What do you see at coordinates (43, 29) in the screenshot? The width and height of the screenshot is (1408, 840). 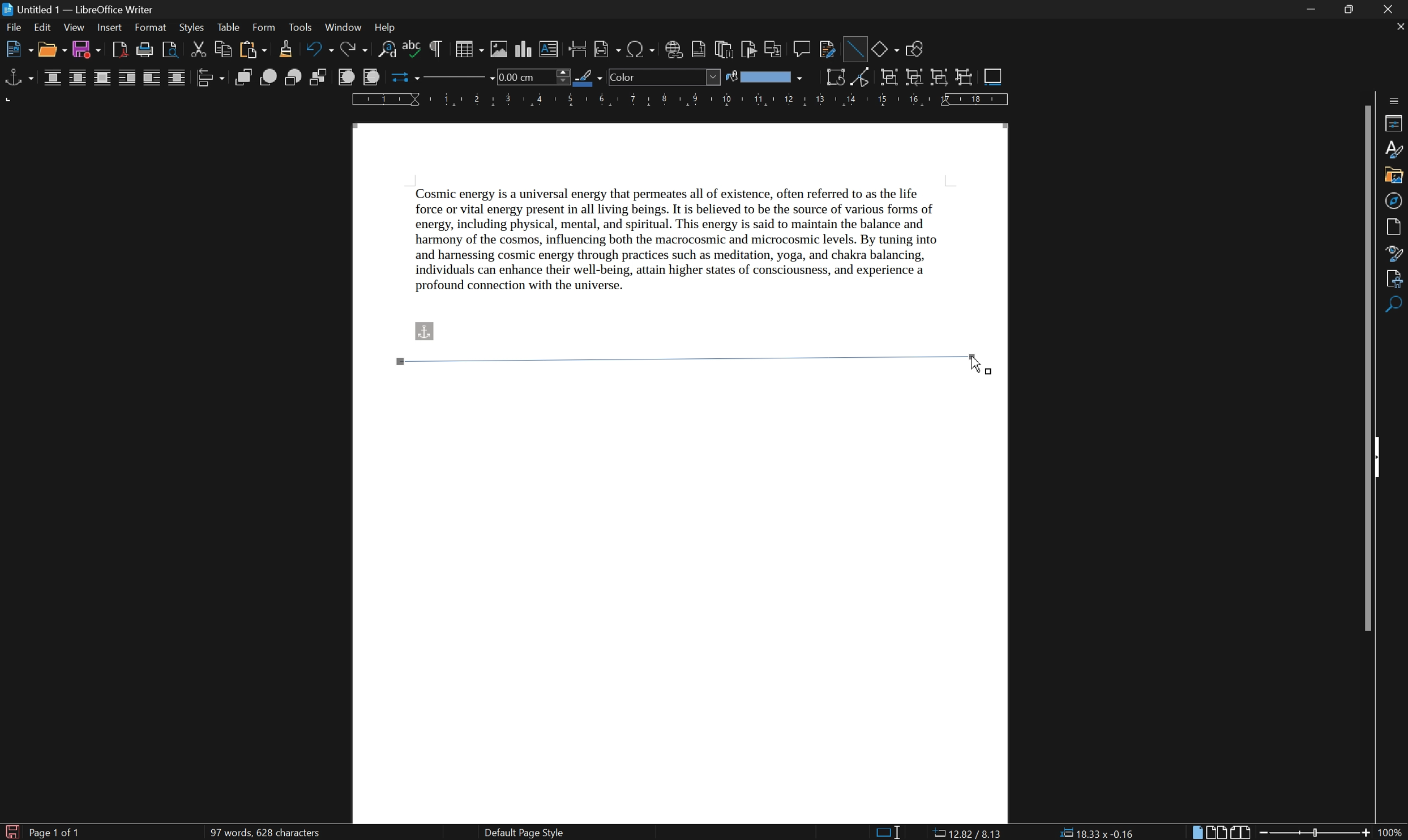 I see `edit` at bounding box center [43, 29].